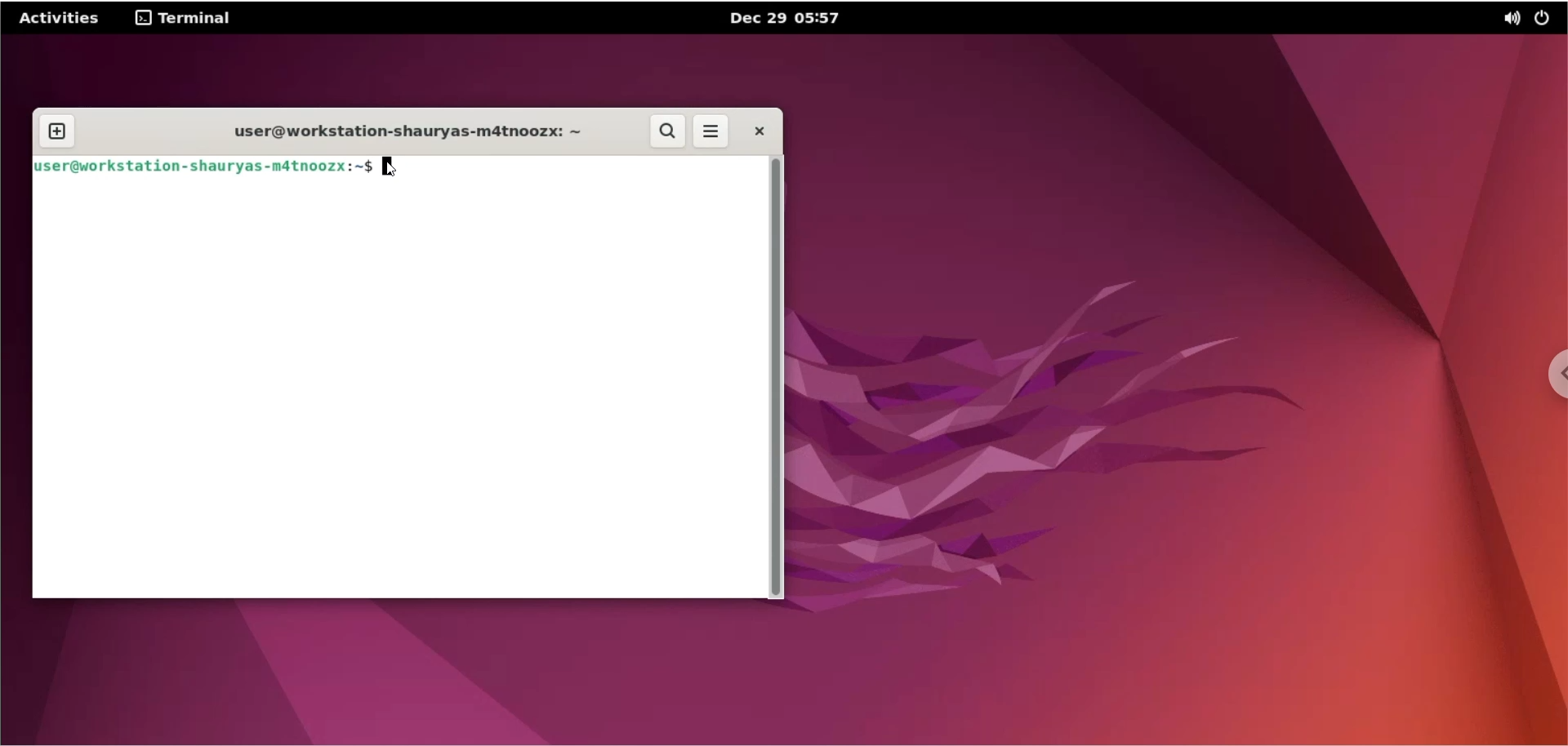 The width and height of the screenshot is (1568, 746). I want to click on user@workstation-shauryas-m4tnoozx:-$, so click(205, 166).